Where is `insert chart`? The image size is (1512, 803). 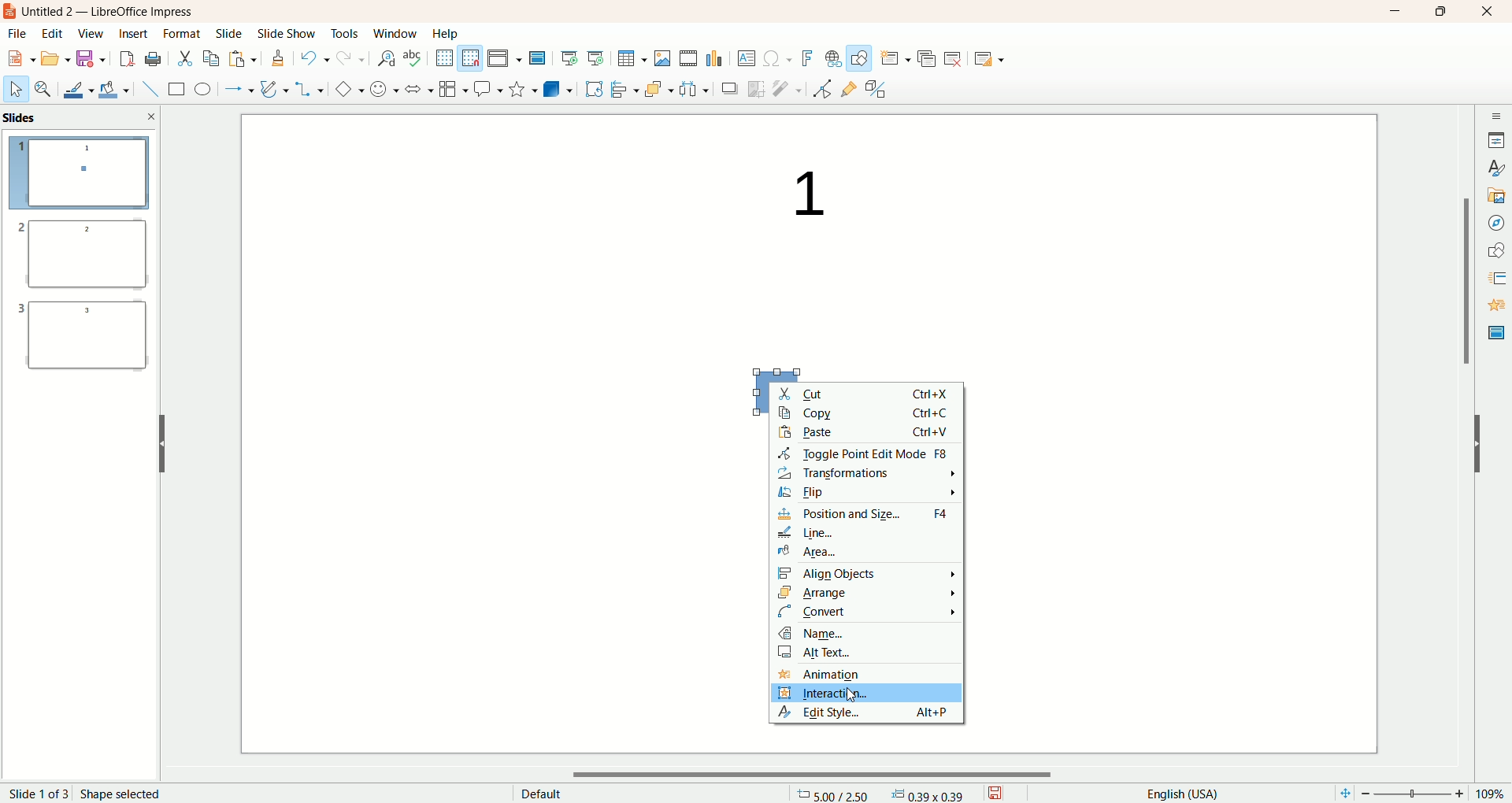 insert chart is located at coordinates (716, 59).